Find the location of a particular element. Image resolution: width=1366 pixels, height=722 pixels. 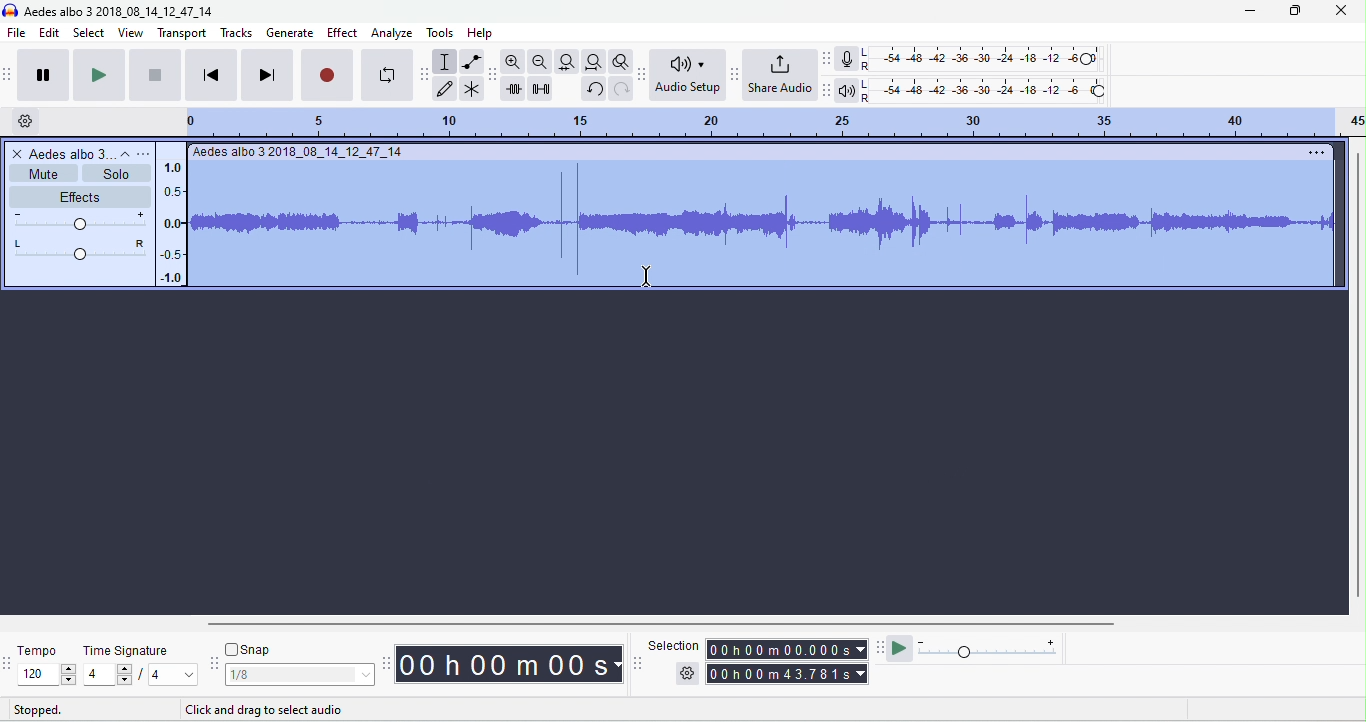

recording level is located at coordinates (991, 60).